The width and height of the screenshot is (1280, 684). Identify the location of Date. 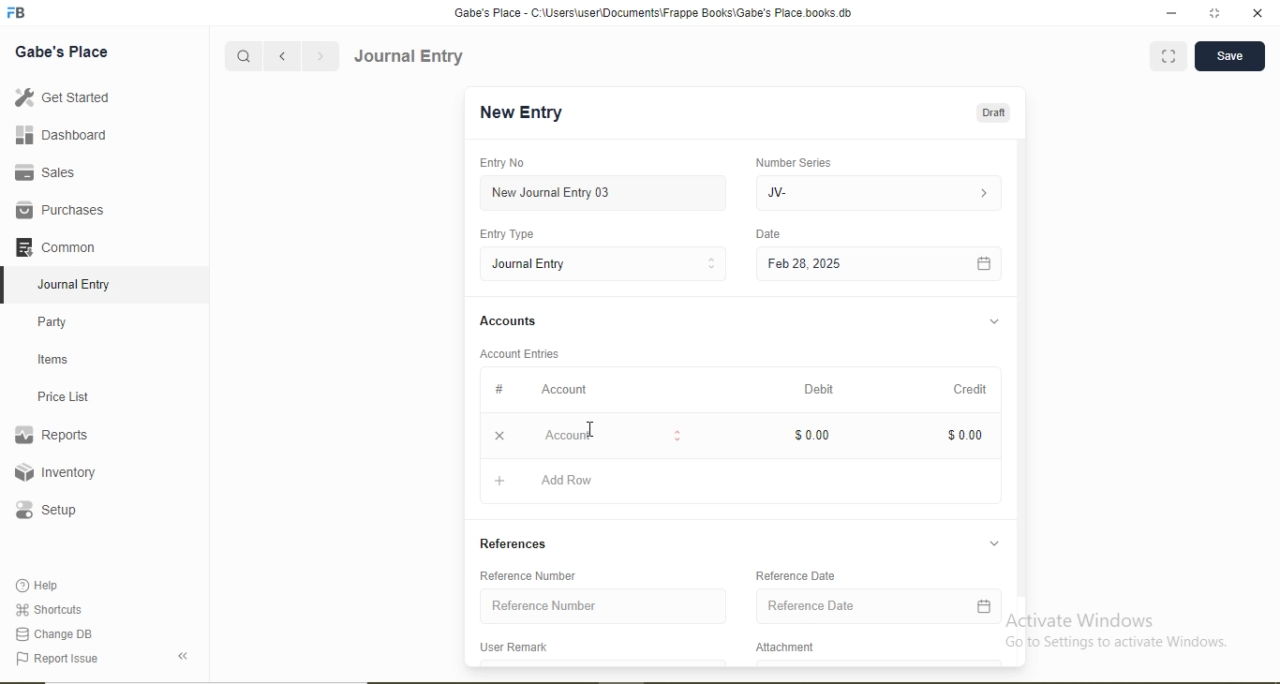
(767, 233).